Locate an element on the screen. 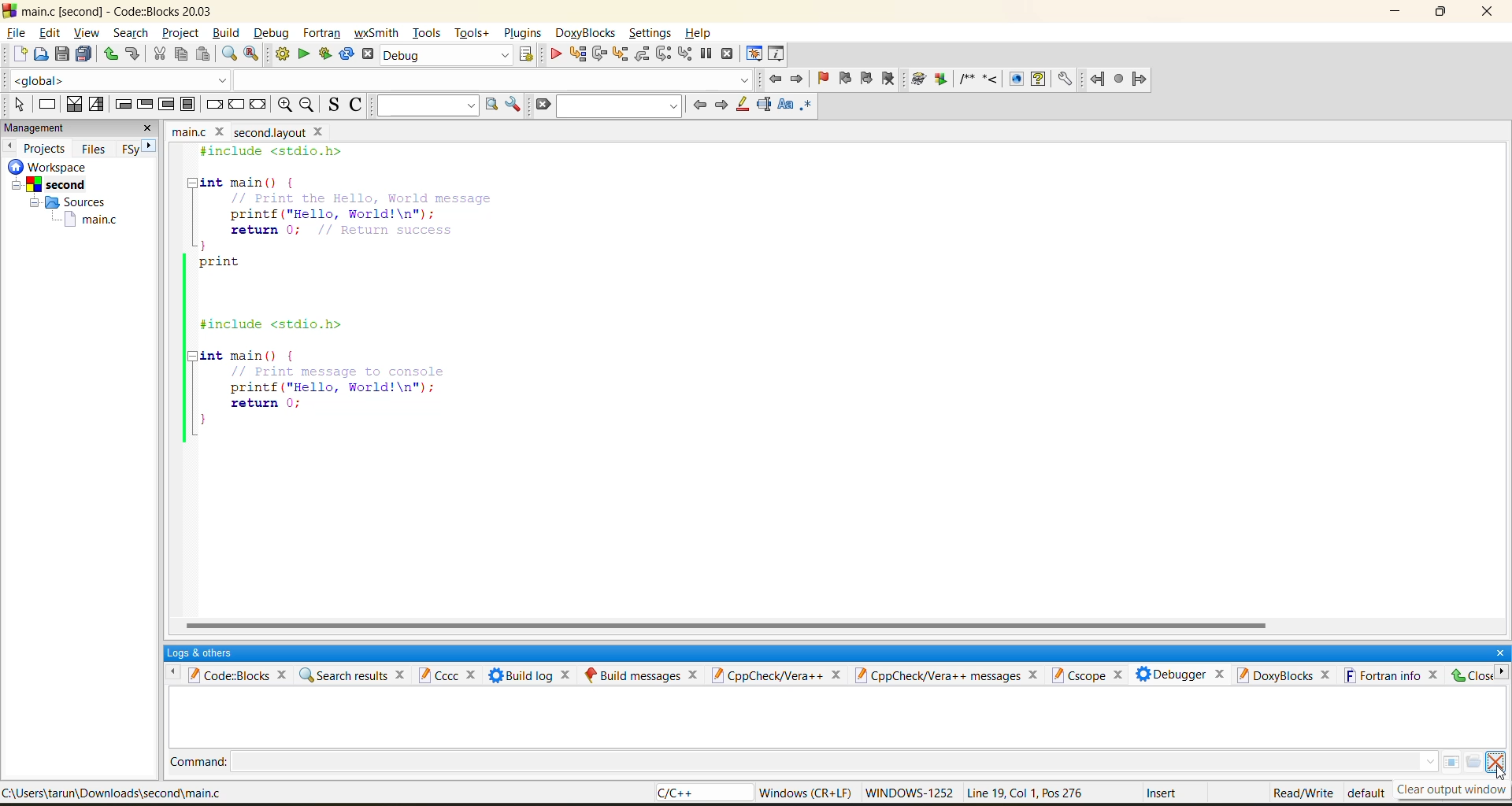 Image resolution: width=1512 pixels, height=806 pixels. selected text is located at coordinates (764, 105).